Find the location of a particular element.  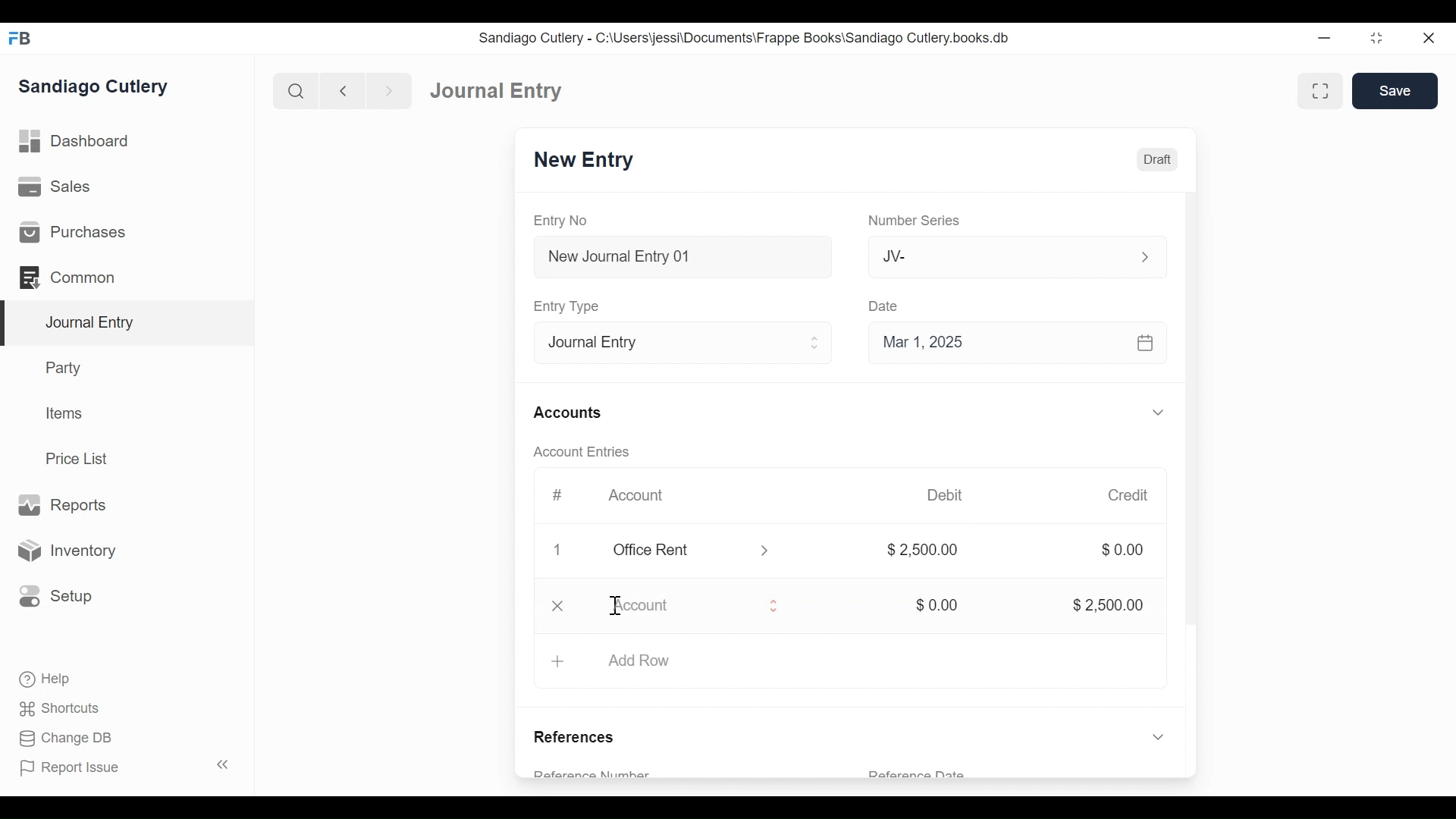

search  is located at coordinates (293, 88).